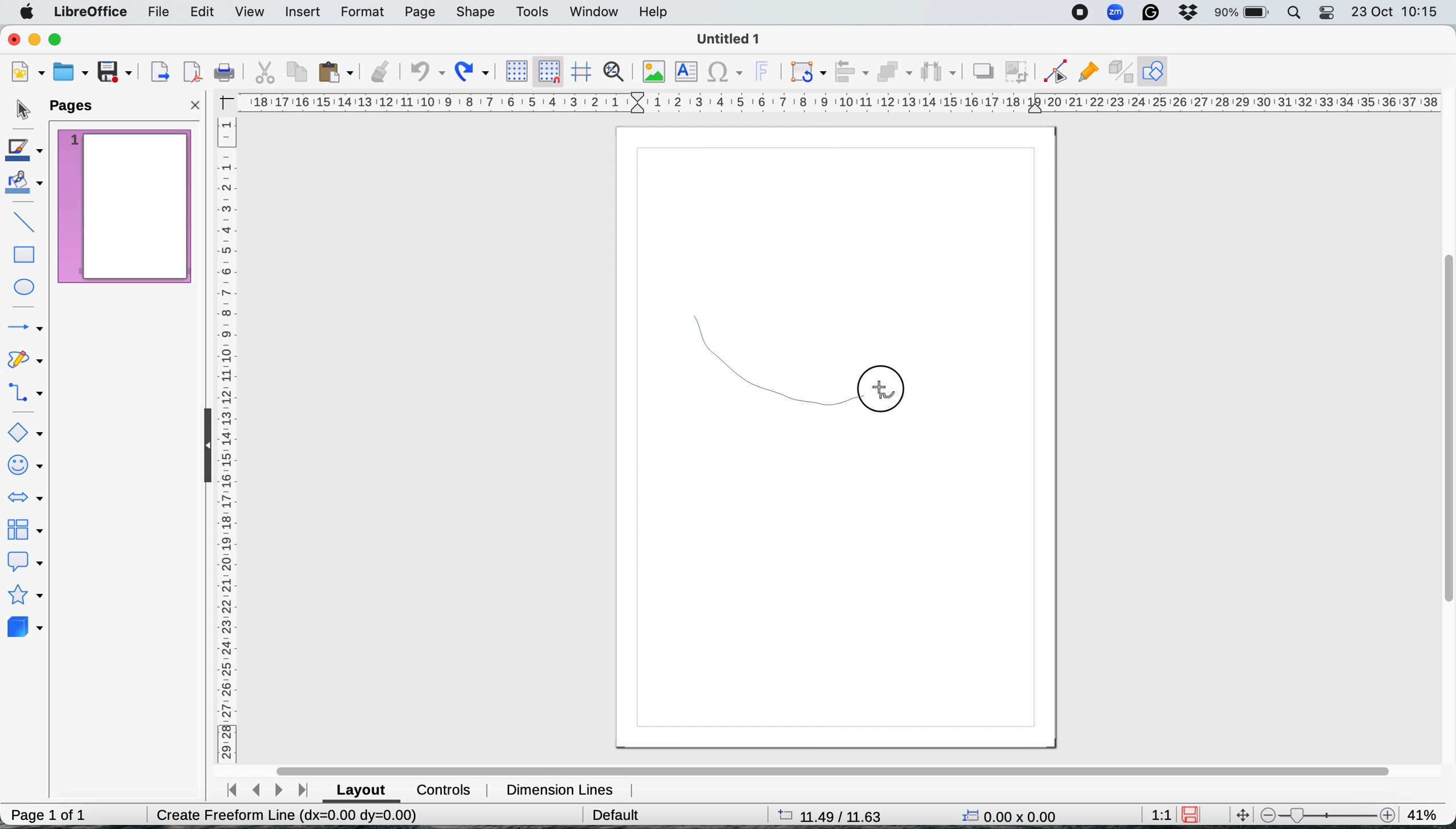 The width and height of the screenshot is (1456, 829). I want to click on screen recorder, so click(1081, 13).